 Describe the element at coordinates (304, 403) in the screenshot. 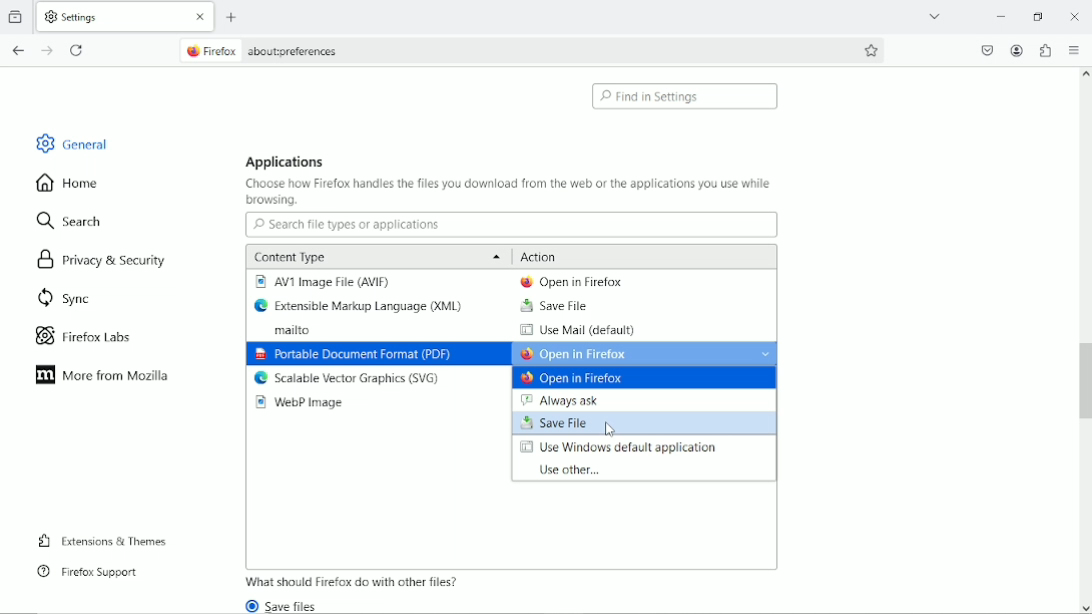

I see `WebP Image` at that location.